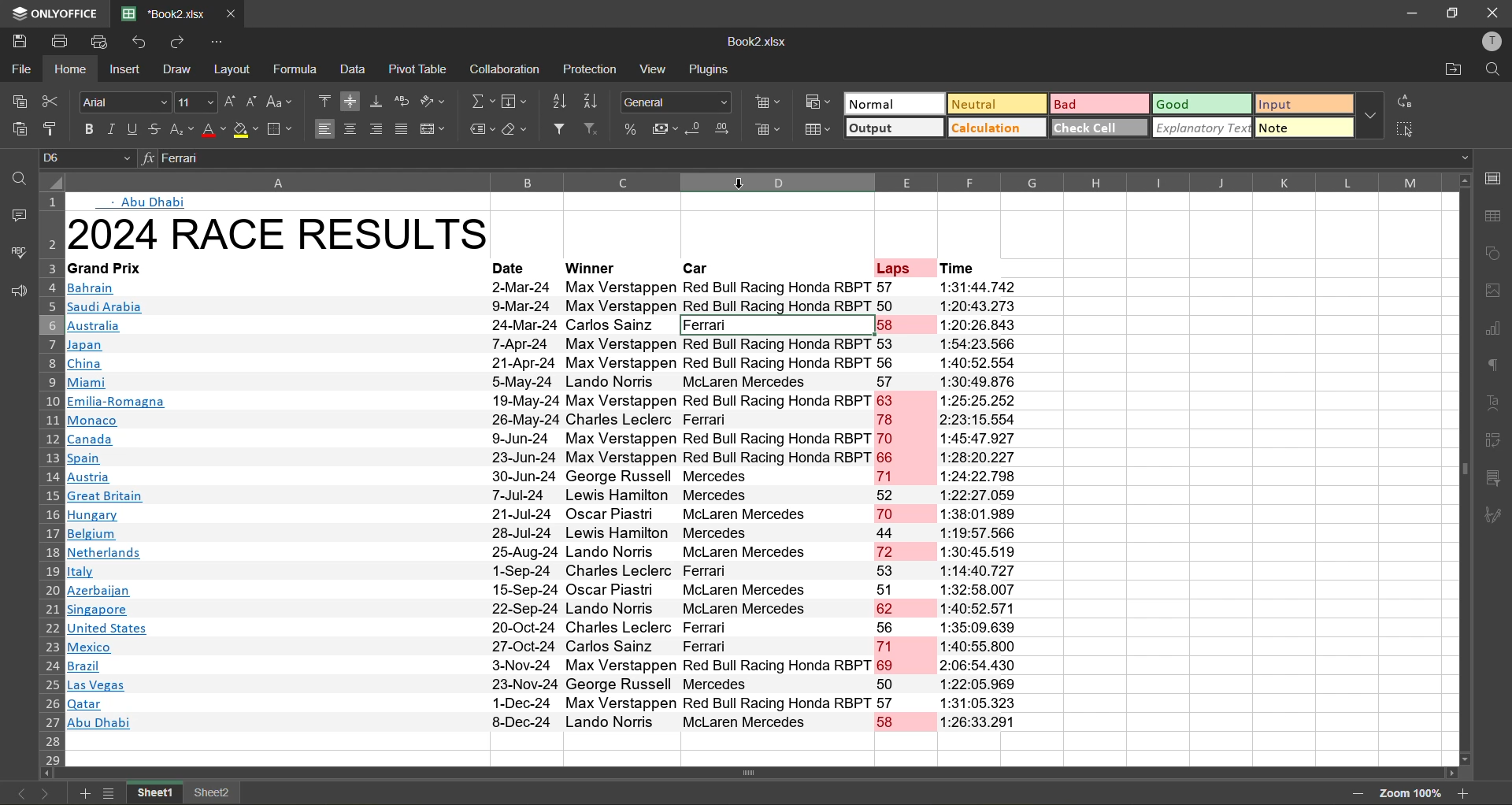  Describe the element at coordinates (1499, 367) in the screenshot. I see `paragraph` at that location.